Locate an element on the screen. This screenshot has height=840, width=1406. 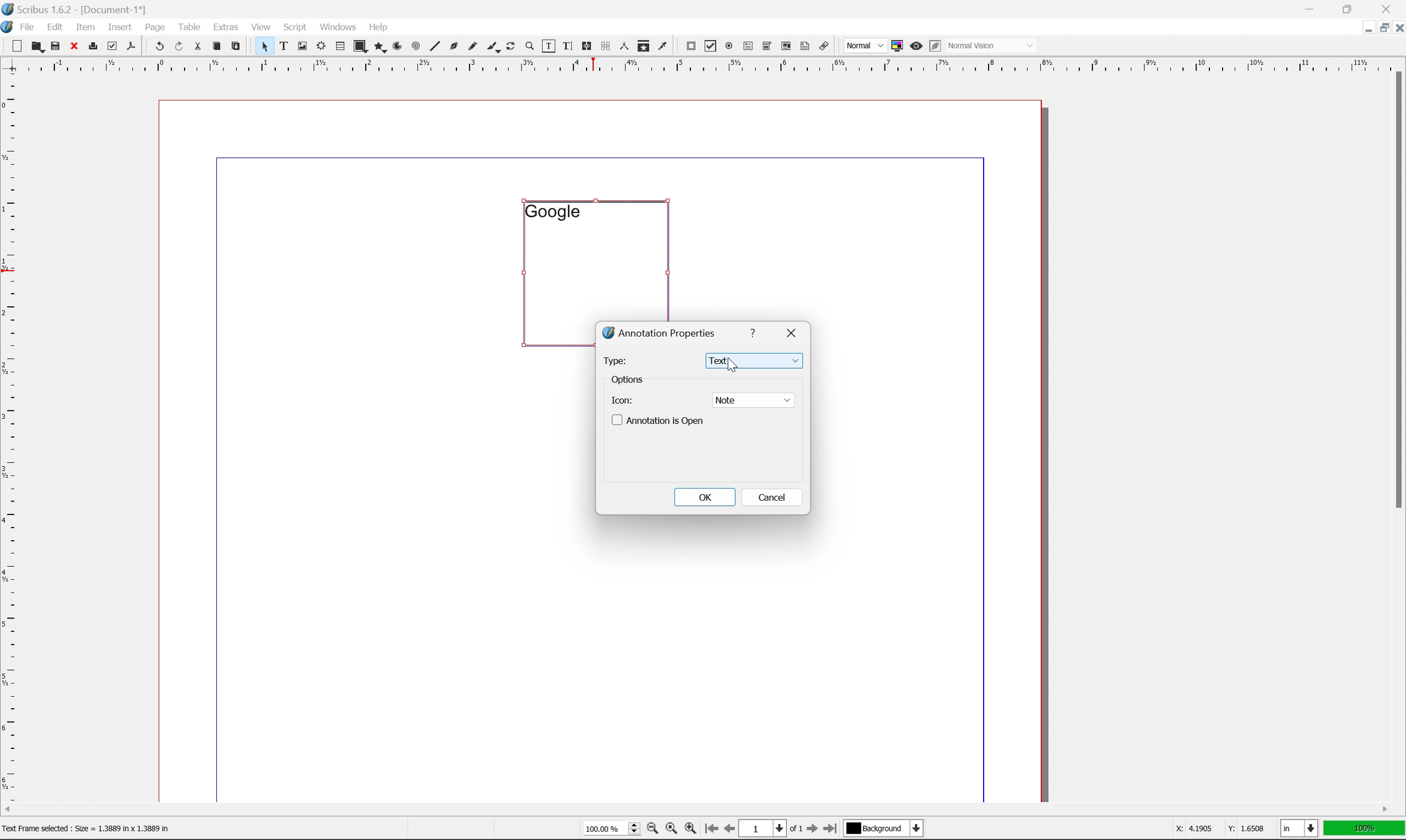
normal vision is located at coordinates (993, 45).